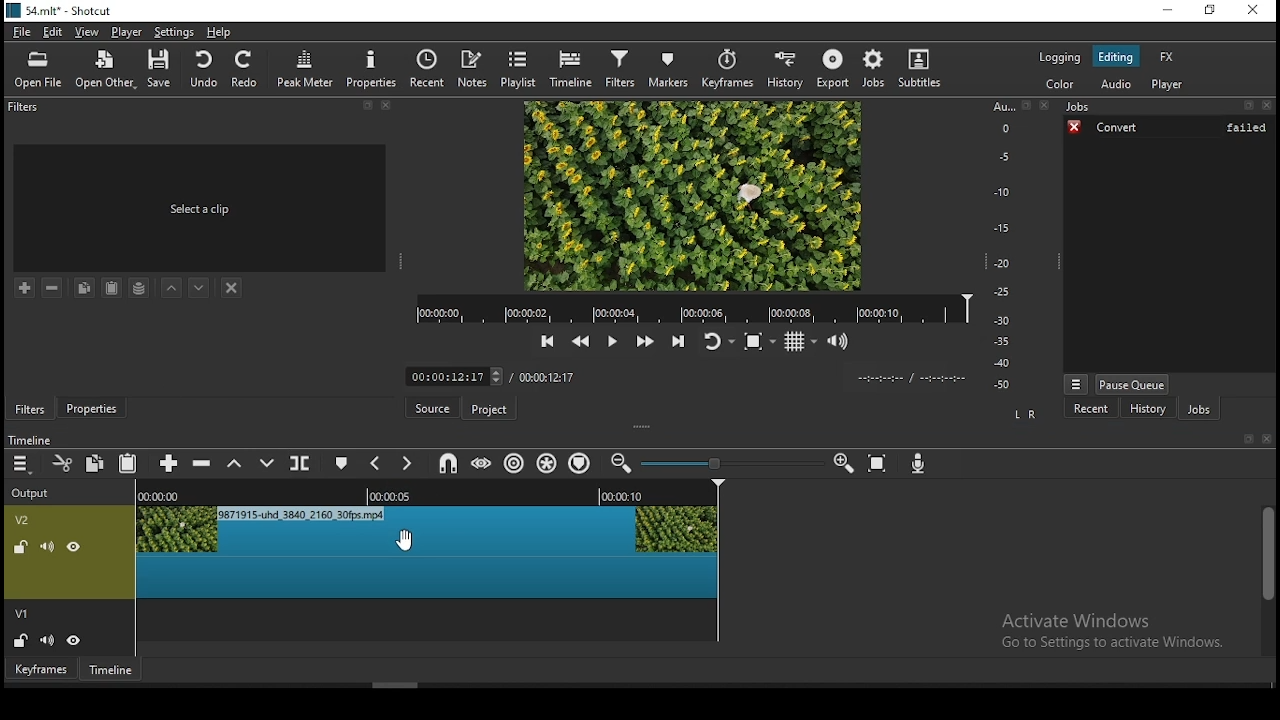  What do you see at coordinates (127, 34) in the screenshot?
I see `player` at bounding box center [127, 34].